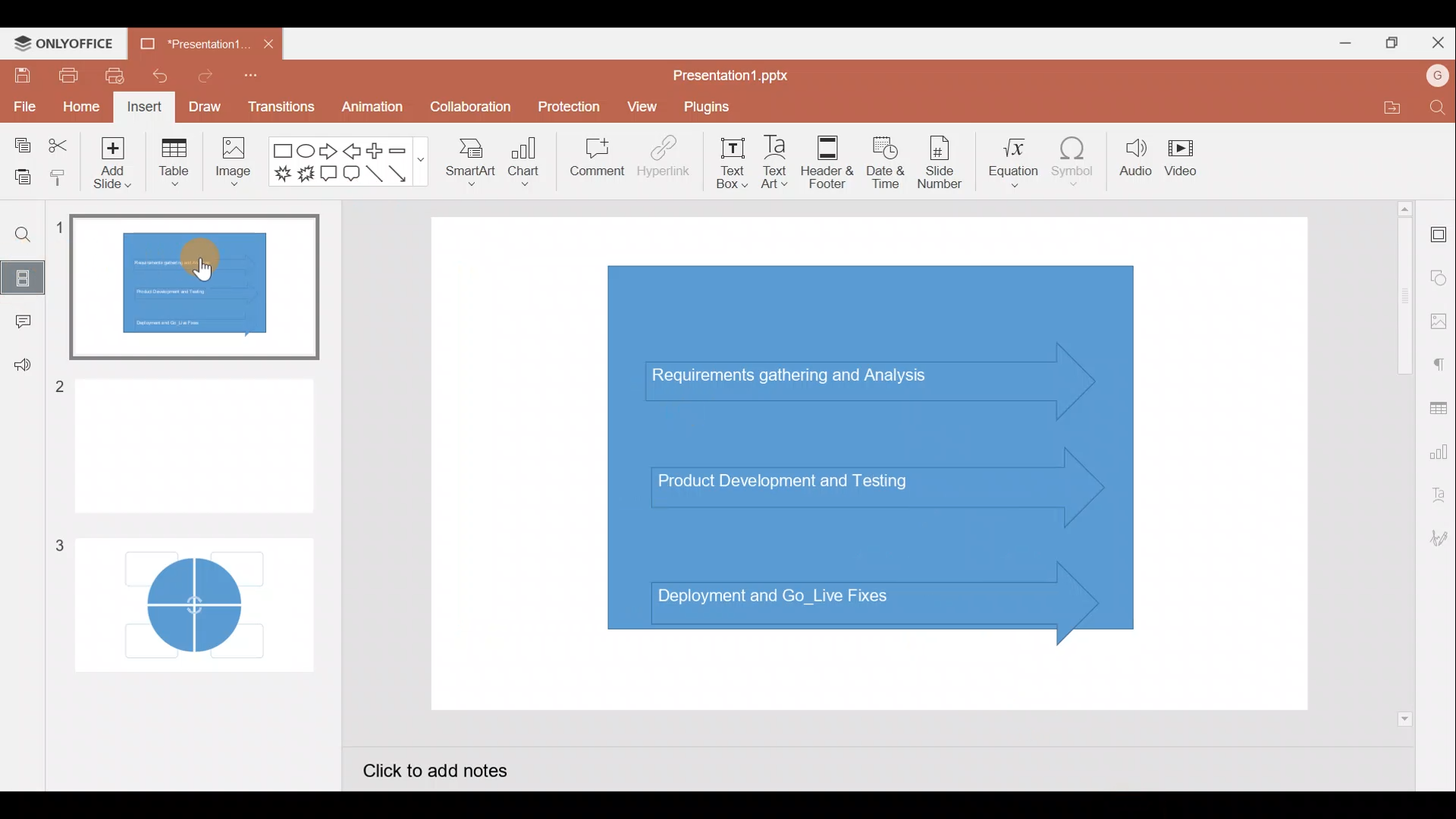  Describe the element at coordinates (305, 175) in the screenshot. I see `Explosion 2` at that location.